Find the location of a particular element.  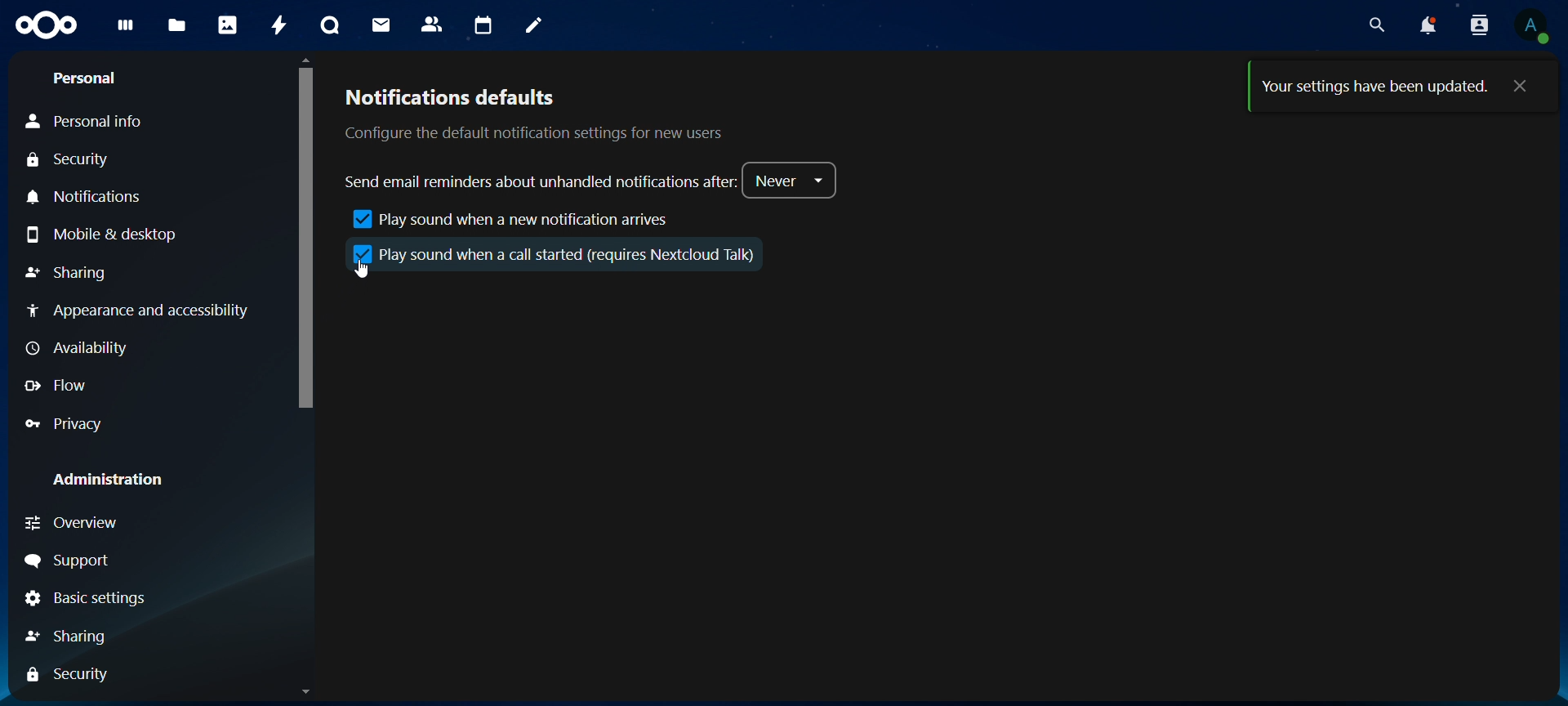

notes is located at coordinates (533, 26).